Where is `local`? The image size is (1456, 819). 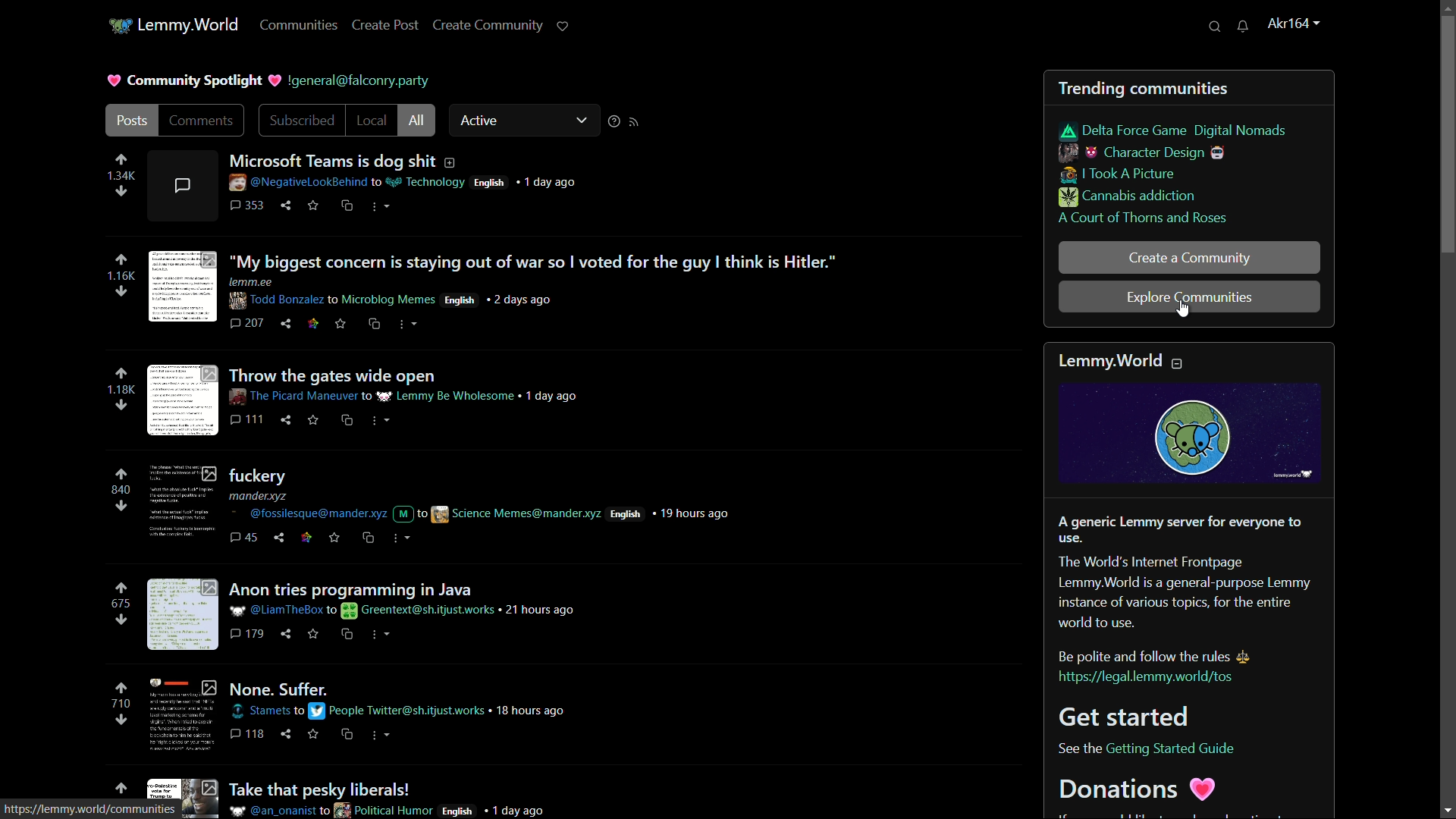 local is located at coordinates (372, 120).